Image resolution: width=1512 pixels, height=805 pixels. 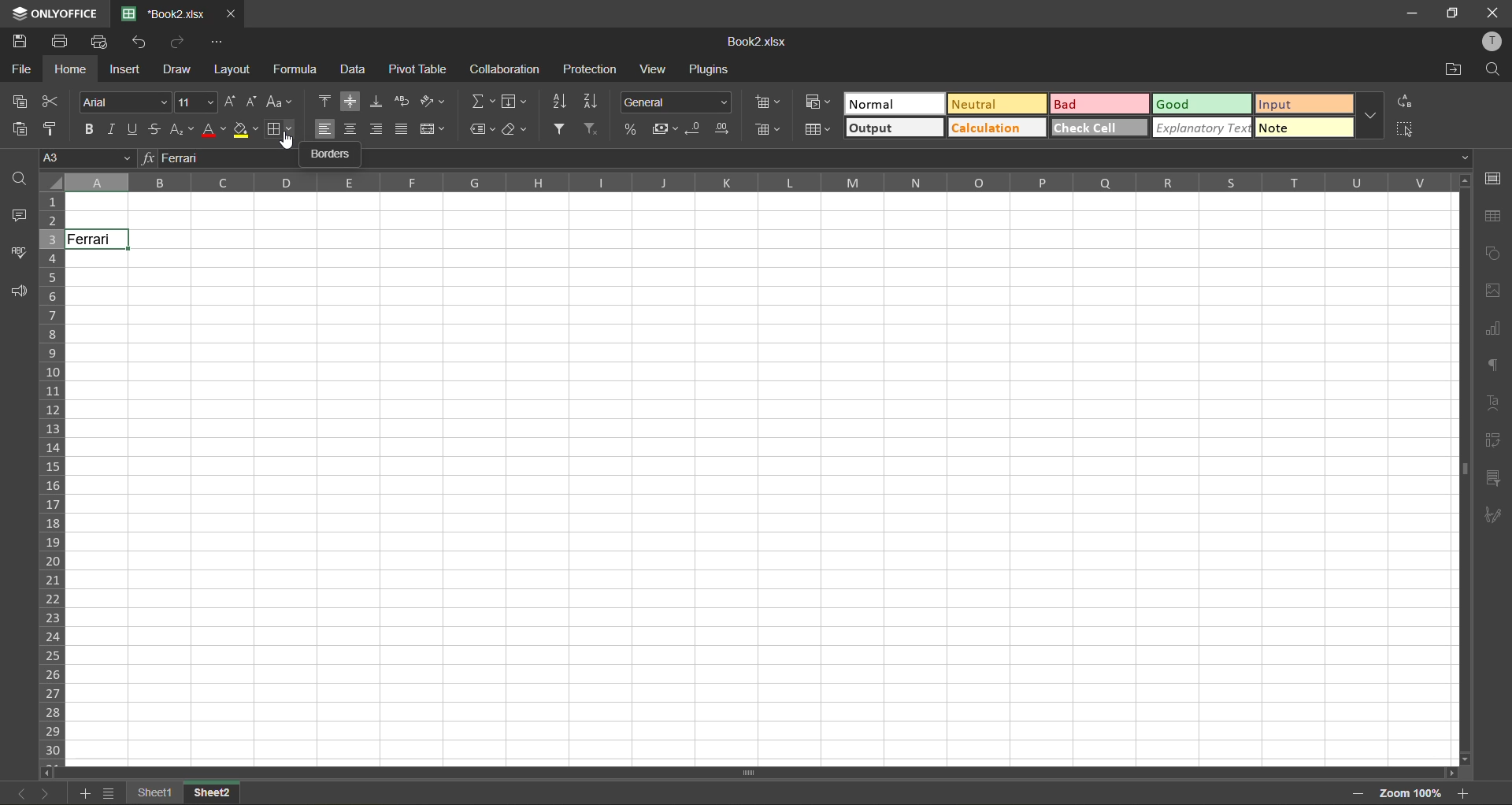 I want to click on file name, so click(x=754, y=42).